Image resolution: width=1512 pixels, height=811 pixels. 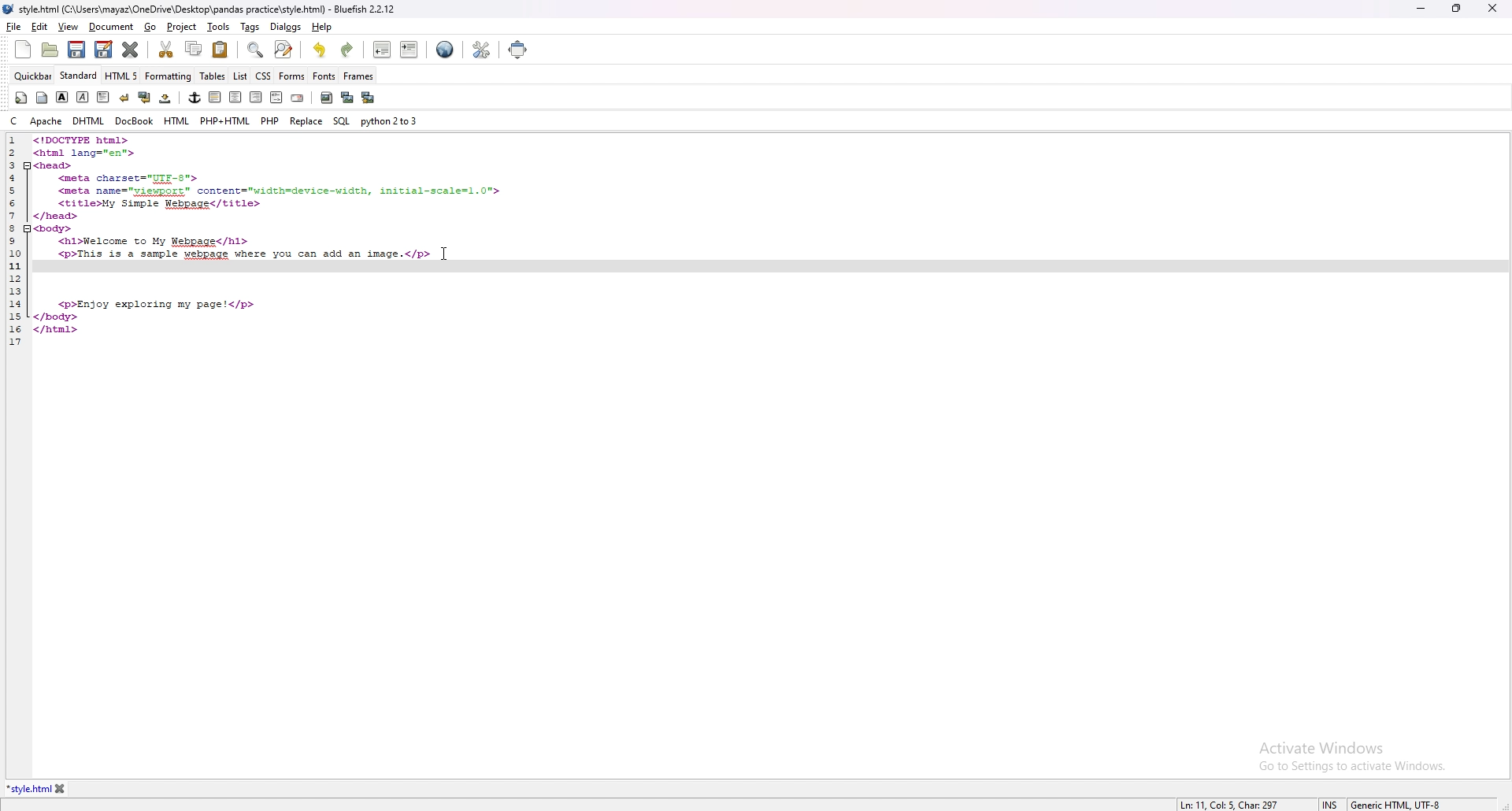 I want to click on fonts, so click(x=324, y=76).